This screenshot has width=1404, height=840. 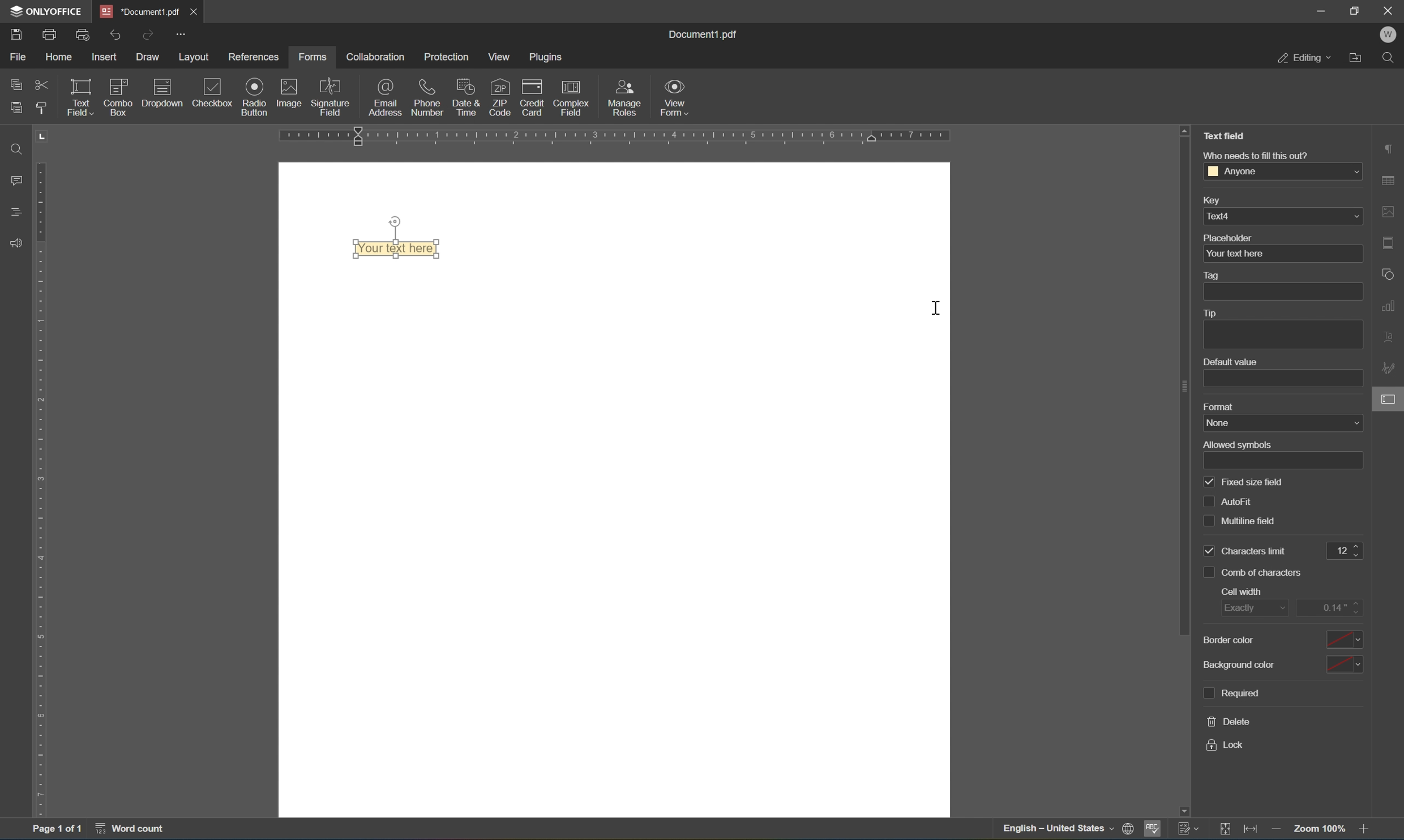 What do you see at coordinates (1185, 385) in the screenshot?
I see `scroll bar` at bounding box center [1185, 385].